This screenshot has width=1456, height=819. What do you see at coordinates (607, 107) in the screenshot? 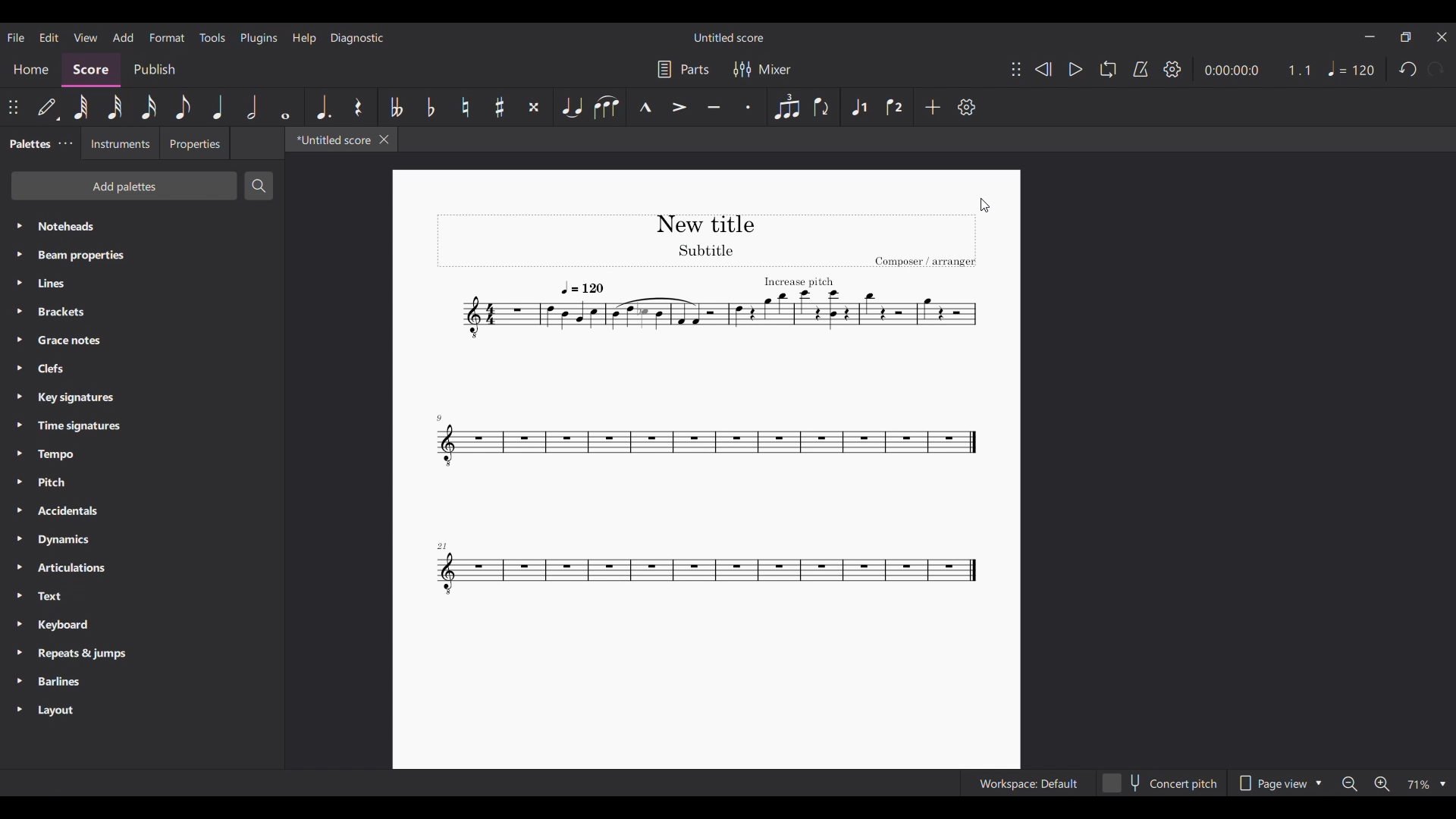
I see `Slur` at bounding box center [607, 107].